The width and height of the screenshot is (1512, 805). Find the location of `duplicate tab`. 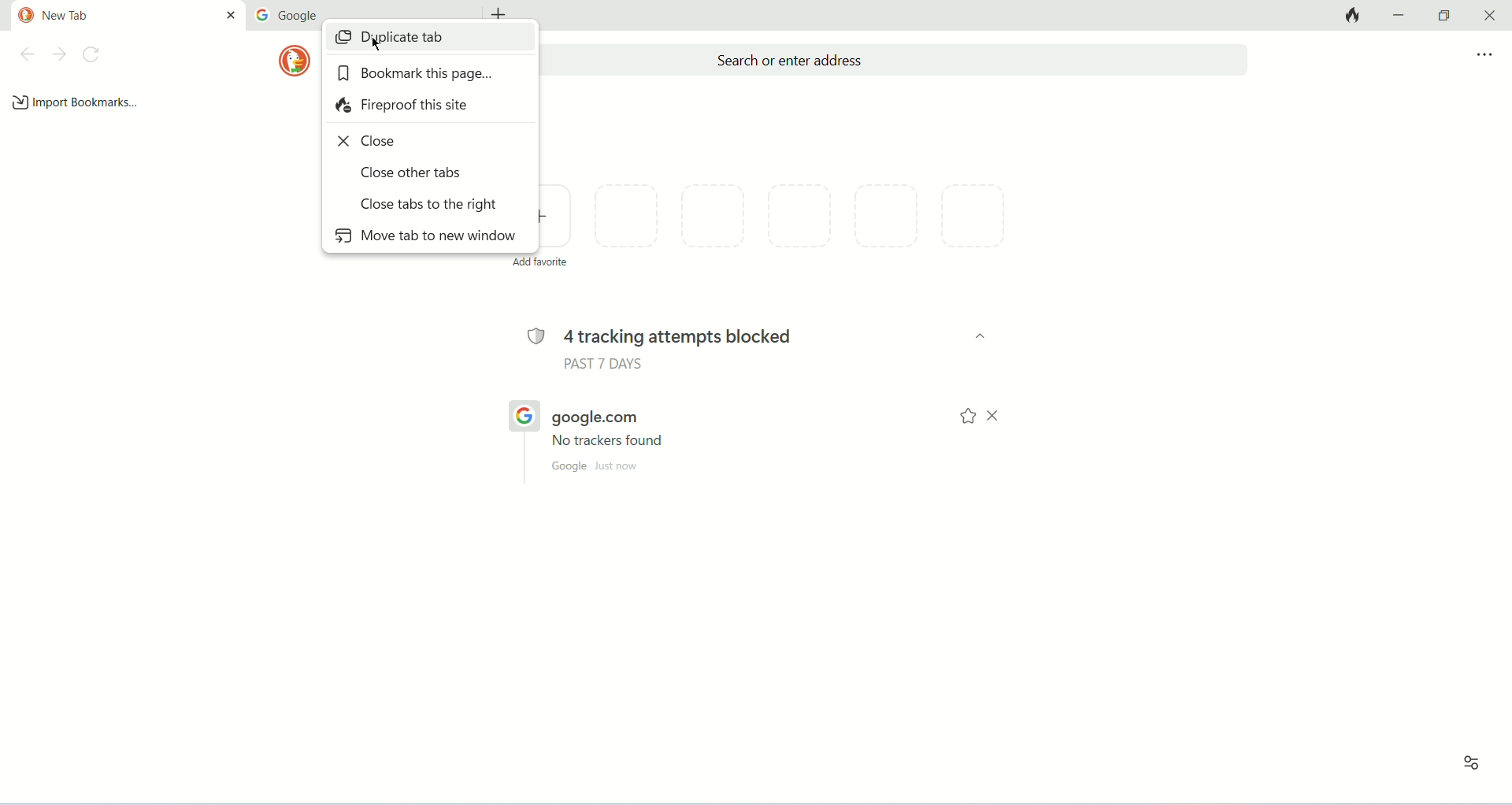

duplicate tab is located at coordinates (423, 42).